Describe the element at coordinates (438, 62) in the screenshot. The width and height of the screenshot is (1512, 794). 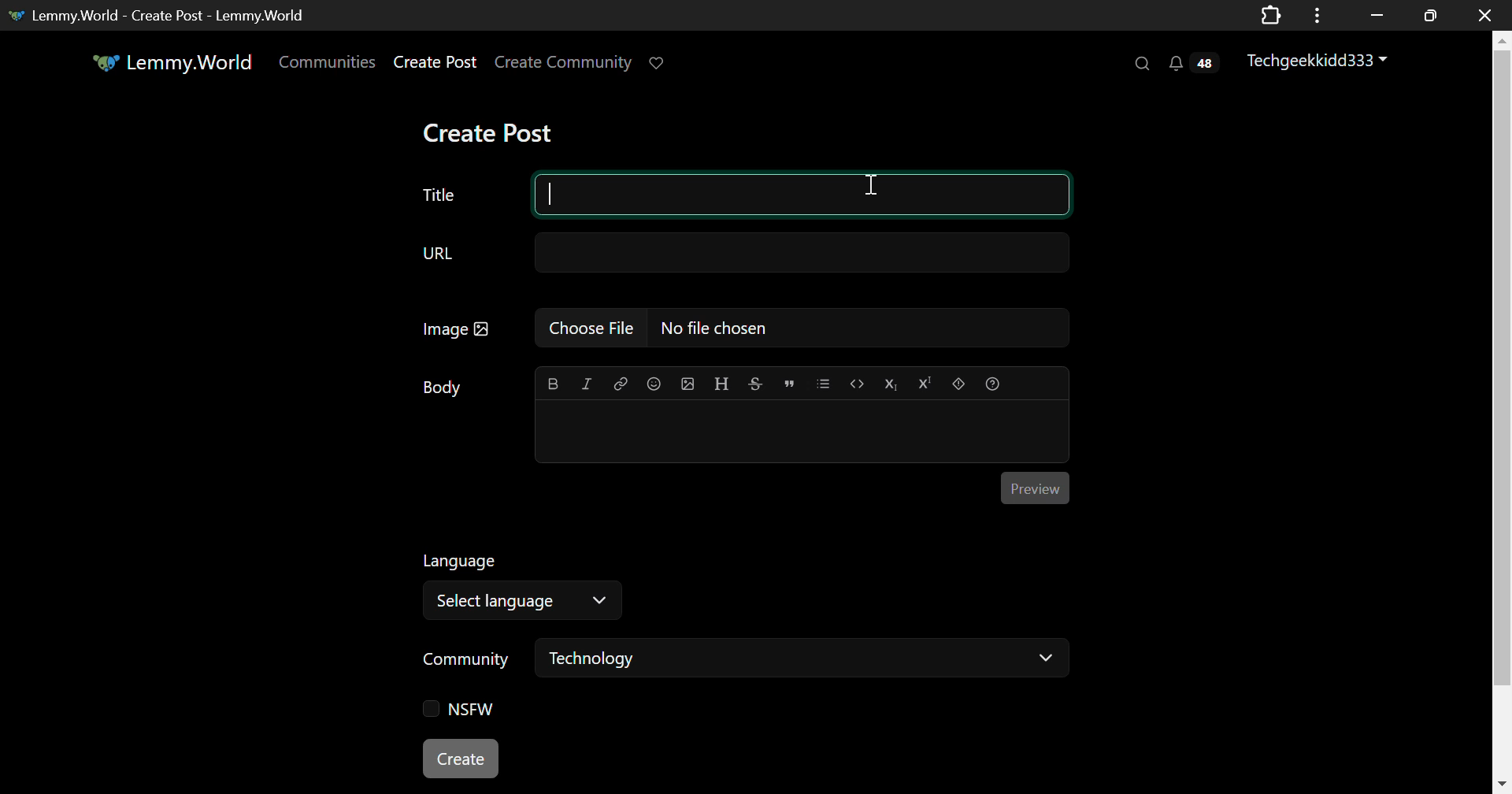
I see `Create Post` at that location.